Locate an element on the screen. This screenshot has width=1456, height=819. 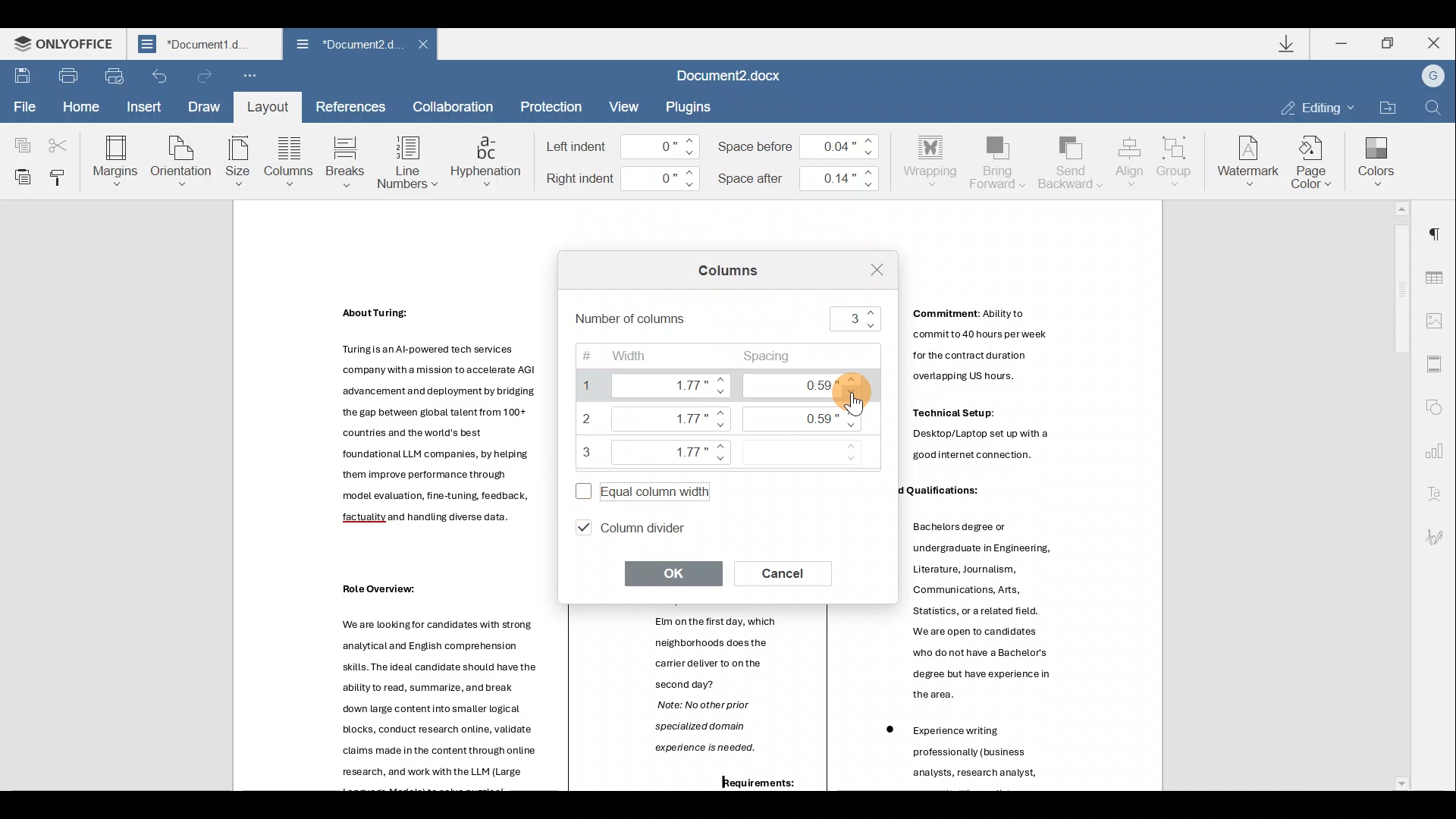
Signature settings is located at coordinates (1441, 536).